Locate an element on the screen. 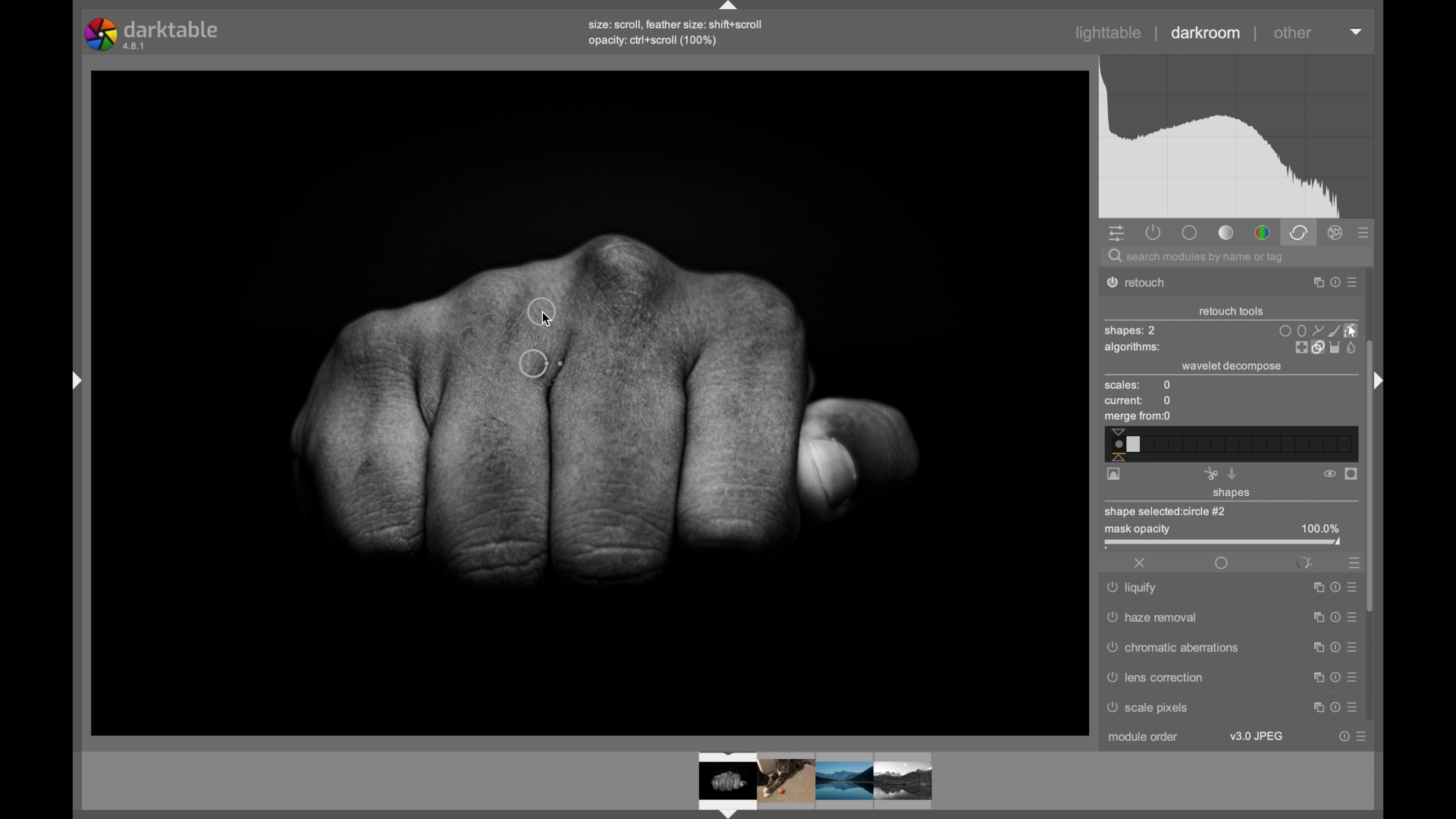  maximize is located at coordinates (1312, 283).